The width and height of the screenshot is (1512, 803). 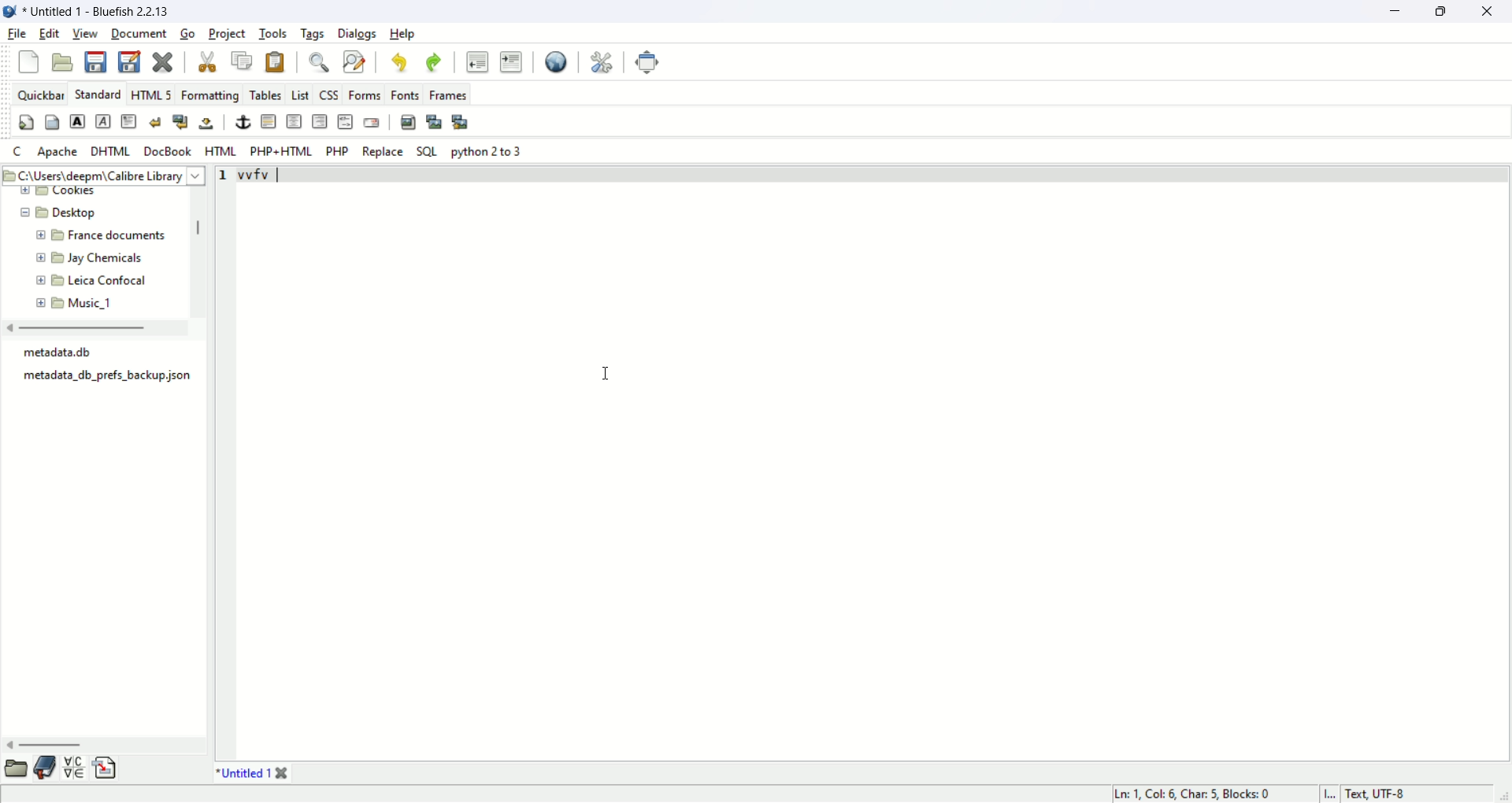 I want to click on folder name, so click(x=96, y=302).